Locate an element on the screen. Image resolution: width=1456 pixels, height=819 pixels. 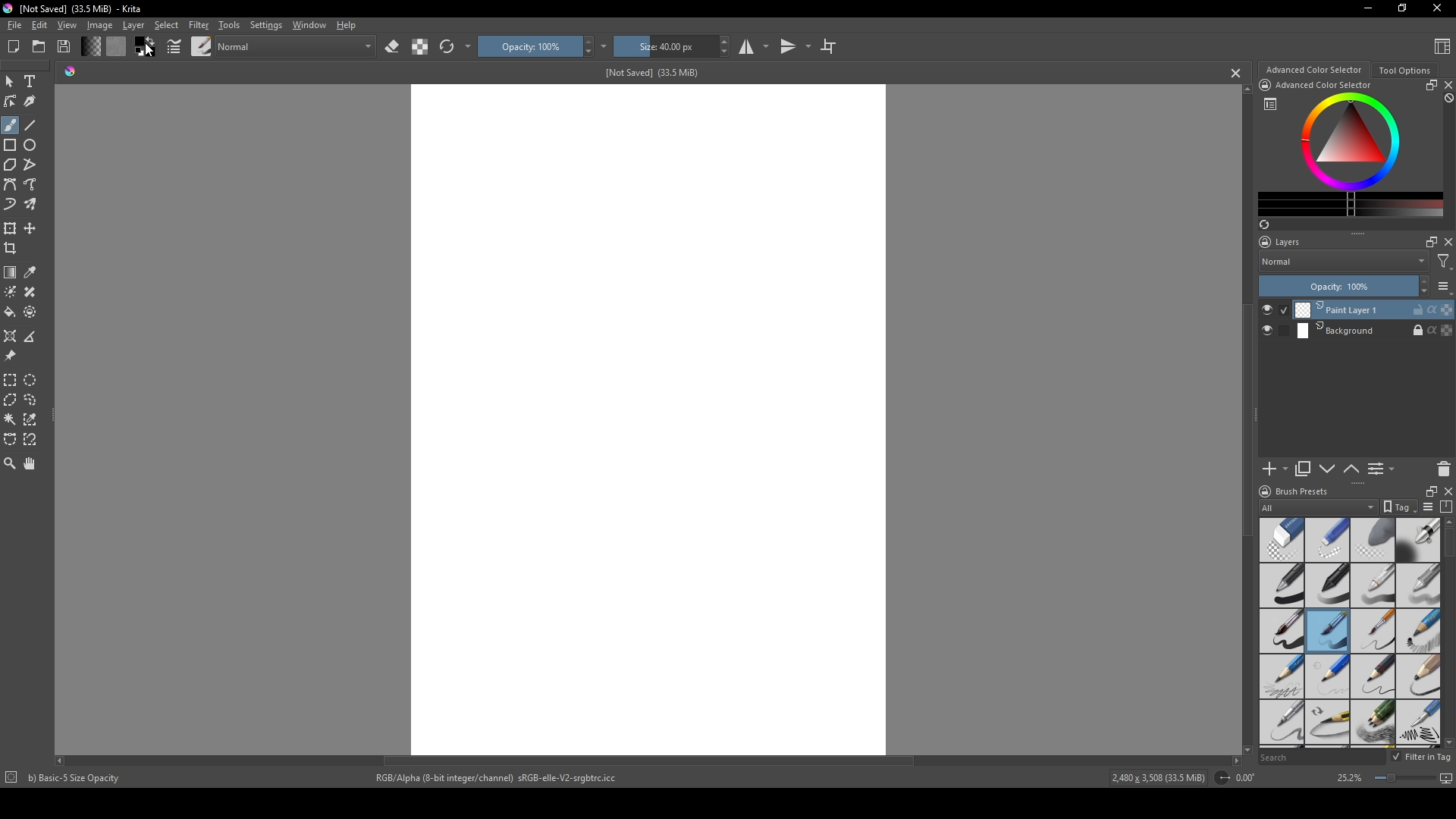
thick brush is located at coordinates (1282, 632).